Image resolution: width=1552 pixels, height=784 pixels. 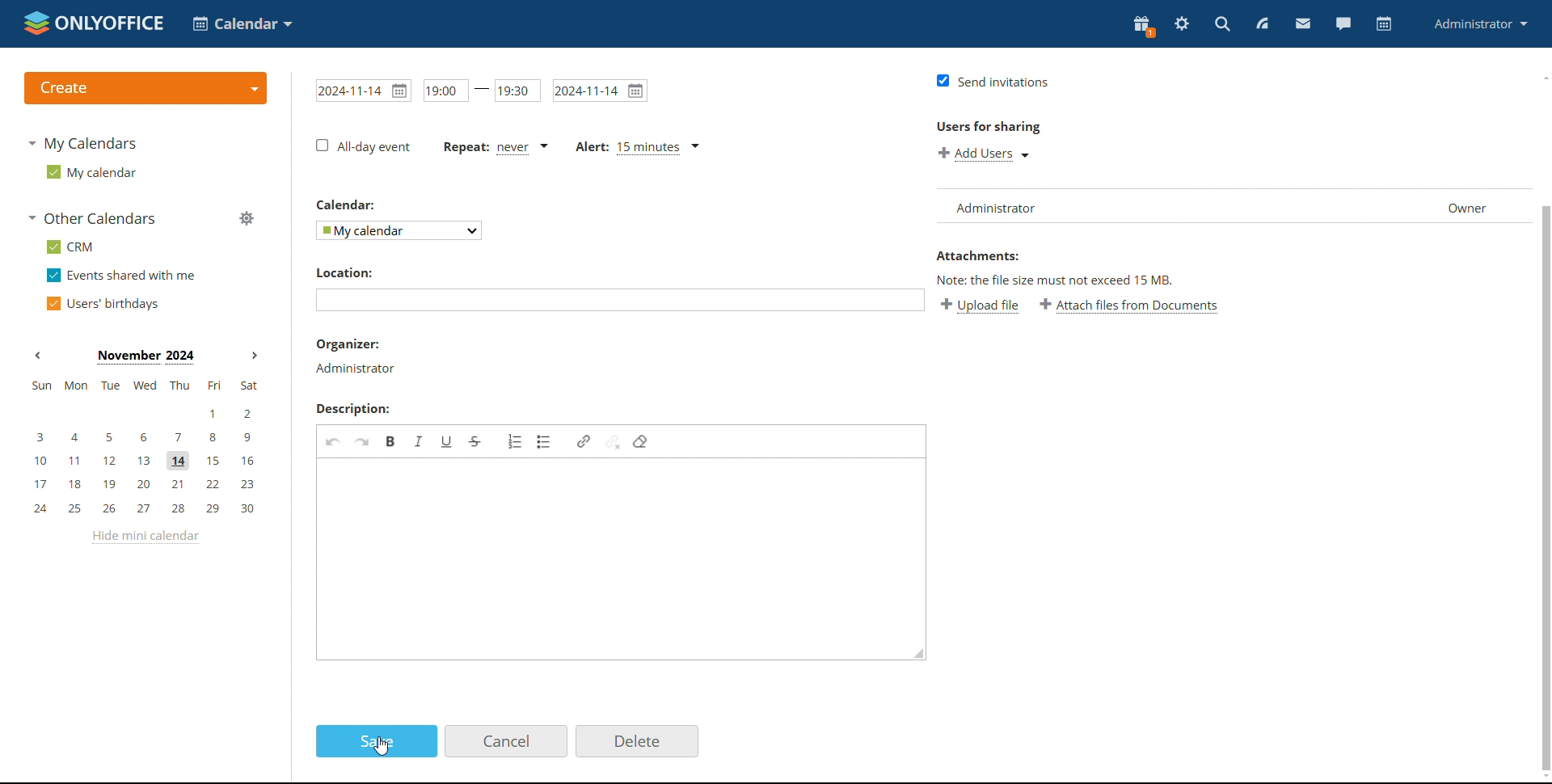 What do you see at coordinates (349, 205) in the screenshot?
I see `calendar:` at bounding box center [349, 205].